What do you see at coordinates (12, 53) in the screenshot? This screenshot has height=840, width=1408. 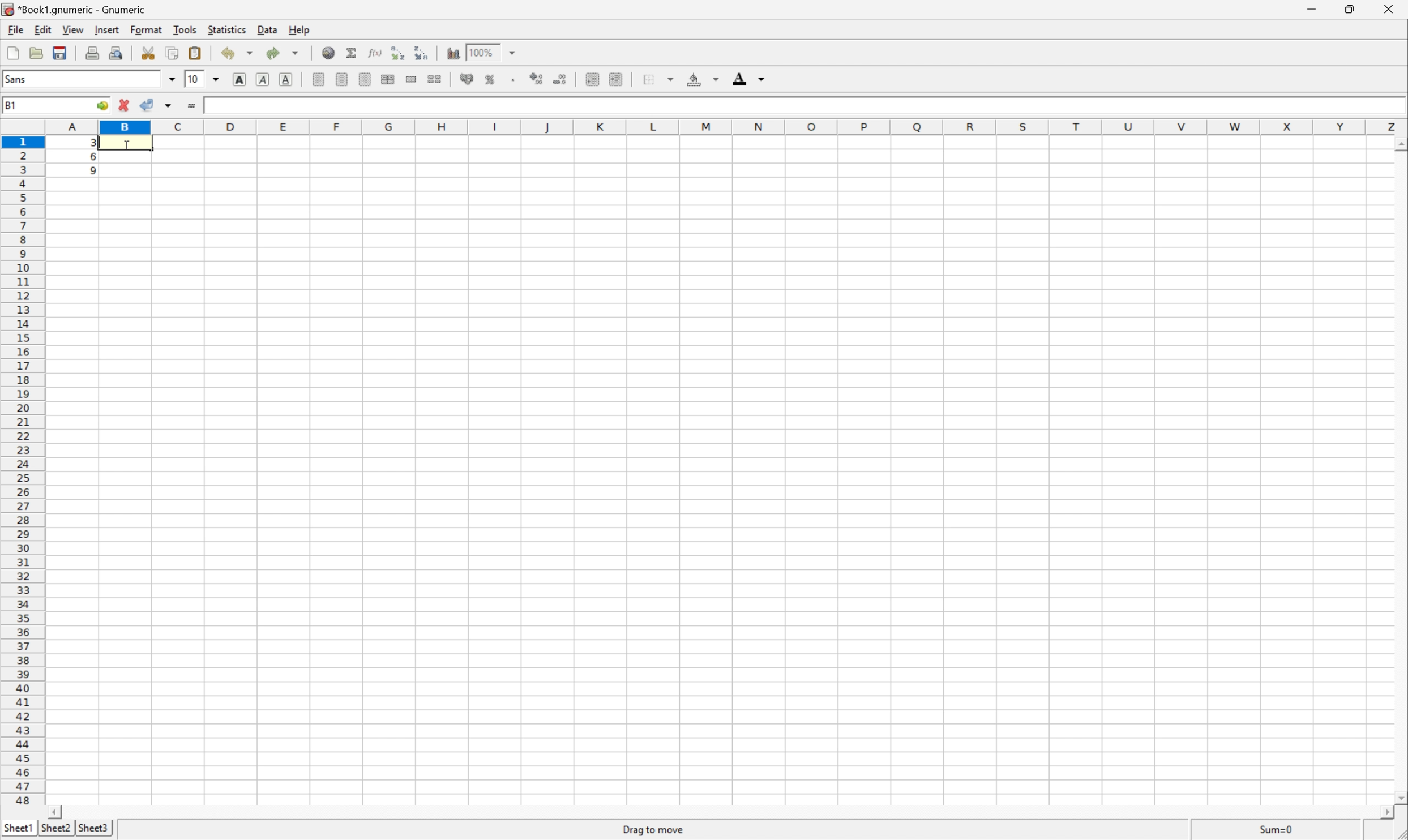 I see `Create a new workbook` at bounding box center [12, 53].